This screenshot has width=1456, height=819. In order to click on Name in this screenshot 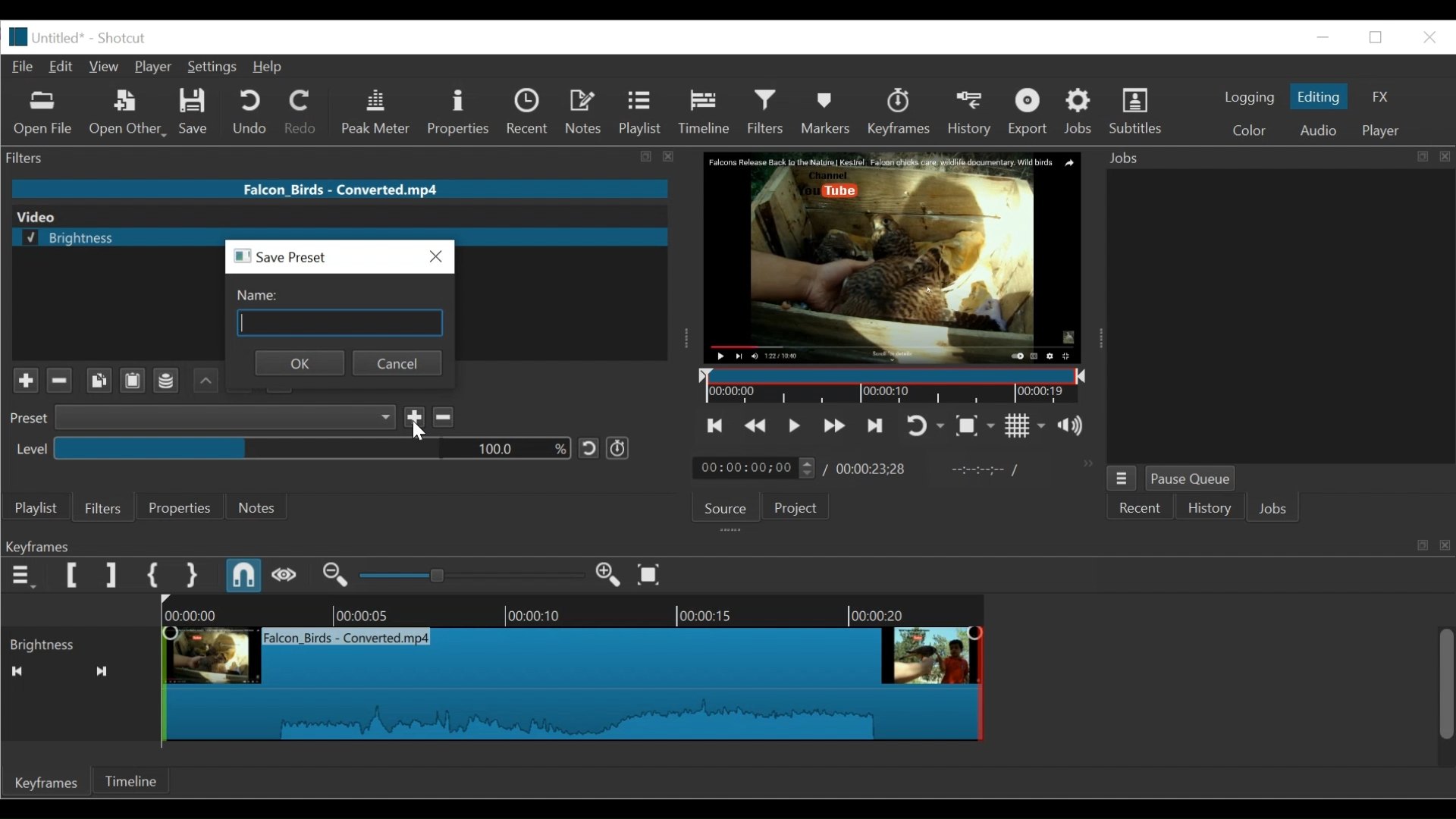, I will do `click(344, 313)`.